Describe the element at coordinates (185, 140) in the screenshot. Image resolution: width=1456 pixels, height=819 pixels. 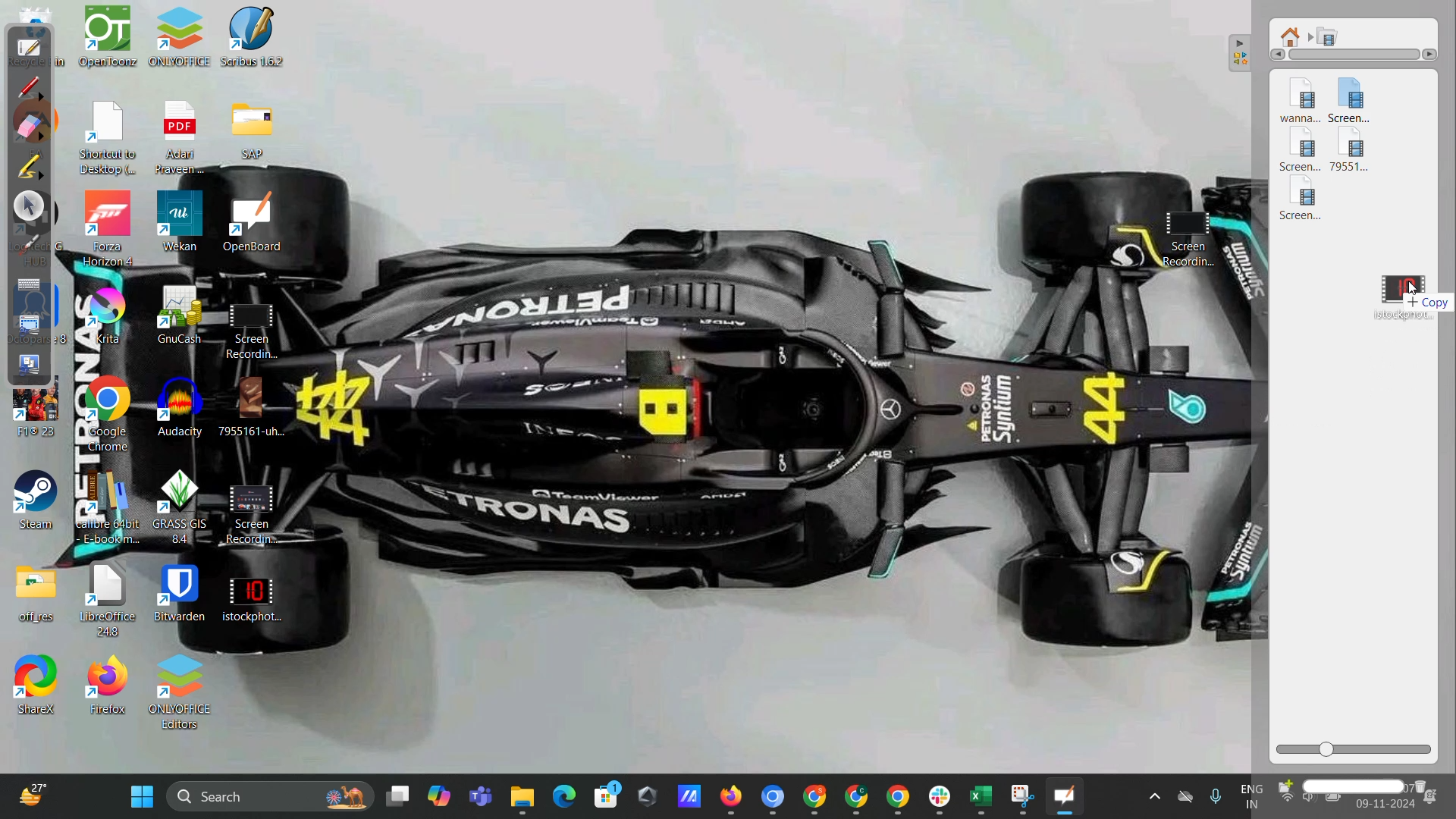
I see `Adan Pravenn` at that location.